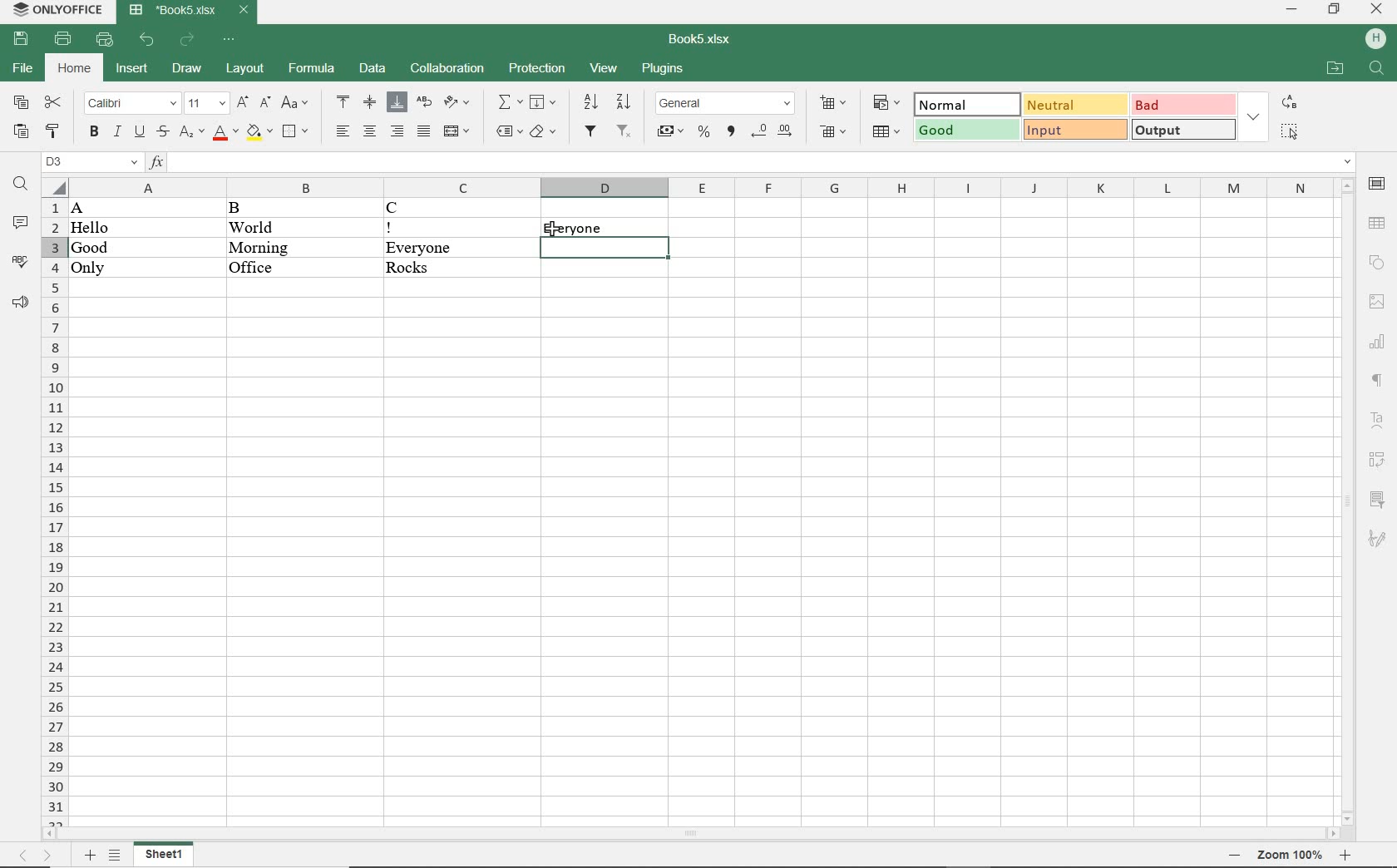  Describe the element at coordinates (460, 269) in the screenshot. I see `Rocks` at that location.